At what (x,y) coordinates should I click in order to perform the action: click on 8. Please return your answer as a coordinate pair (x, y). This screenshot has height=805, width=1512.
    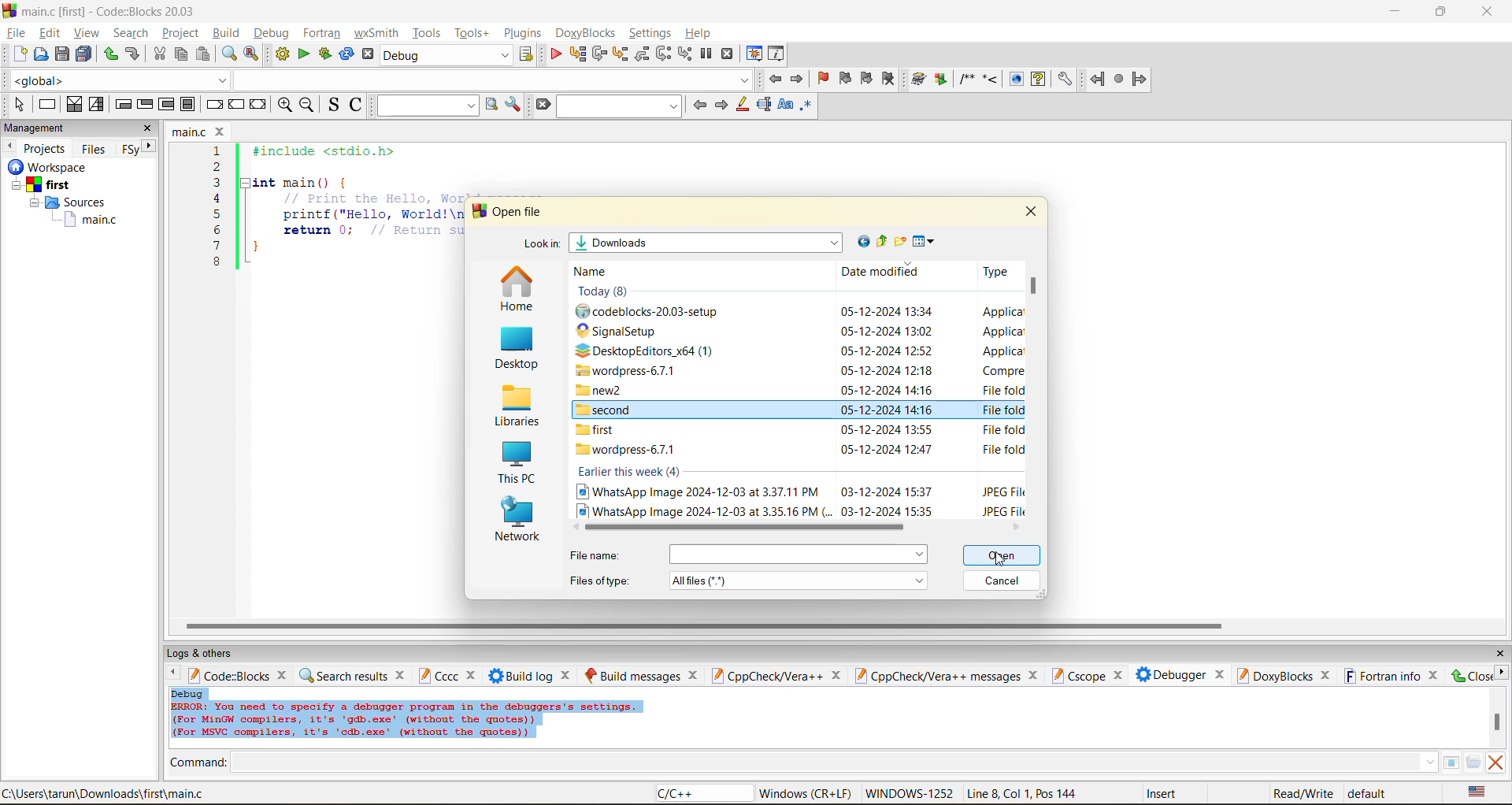
    Looking at the image, I should click on (217, 262).